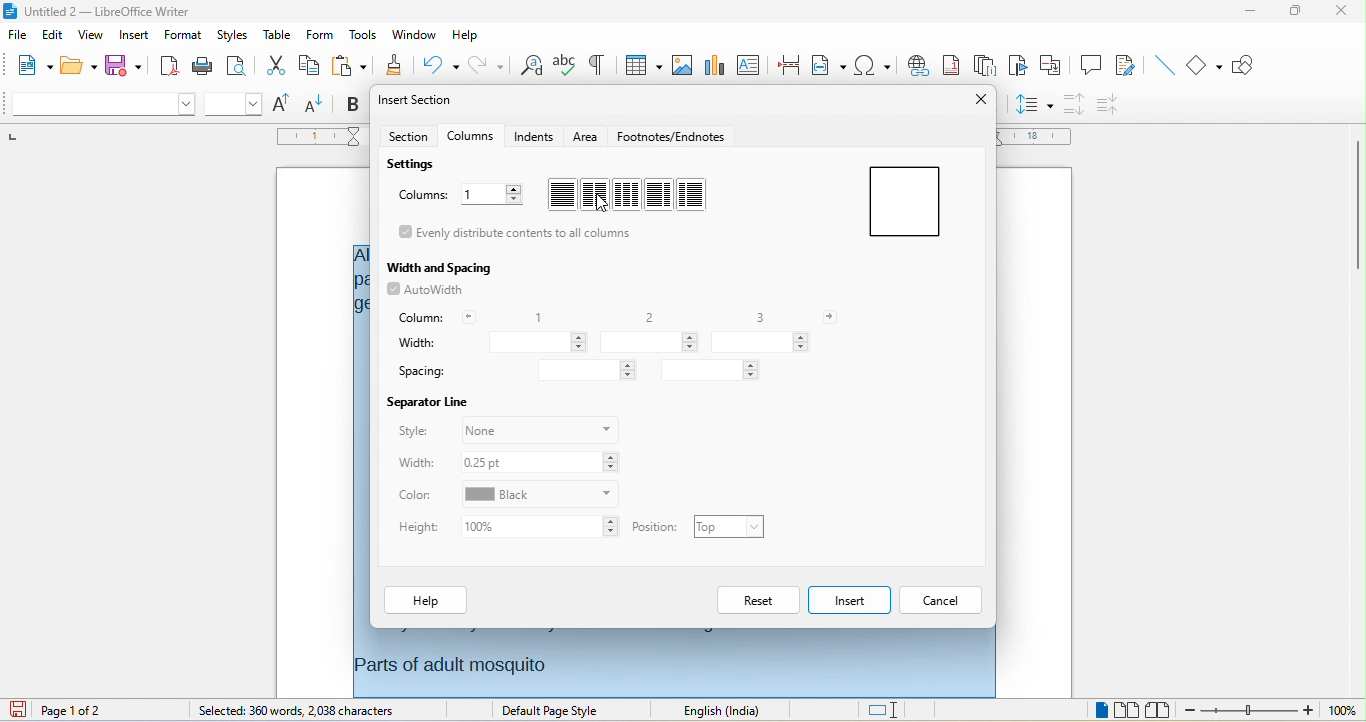 Image resolution: width=1366 pixels, height=722 pixels. I want to click on close, so click(979, 100).